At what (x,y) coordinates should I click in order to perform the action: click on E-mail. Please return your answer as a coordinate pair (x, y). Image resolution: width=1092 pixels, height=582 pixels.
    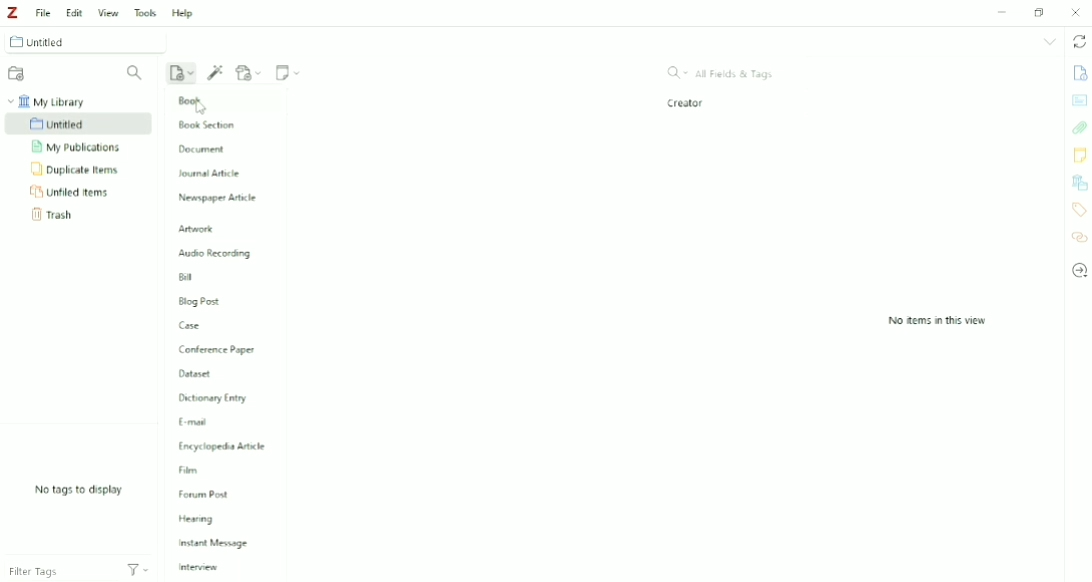
    Looking at the image, I should click on (196, 423).